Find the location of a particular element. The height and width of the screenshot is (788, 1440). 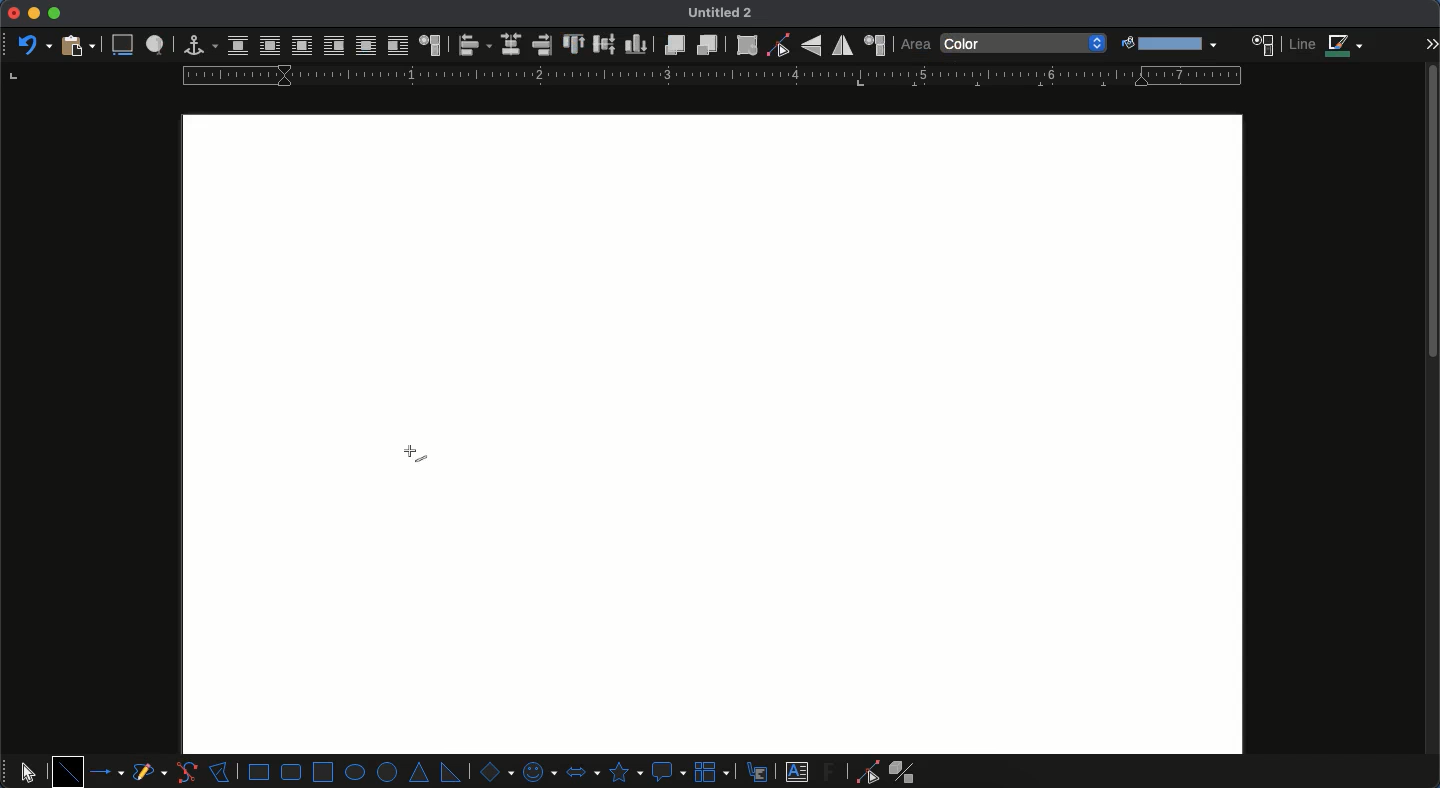

a label to identify object is located at coordinates (155, 46).